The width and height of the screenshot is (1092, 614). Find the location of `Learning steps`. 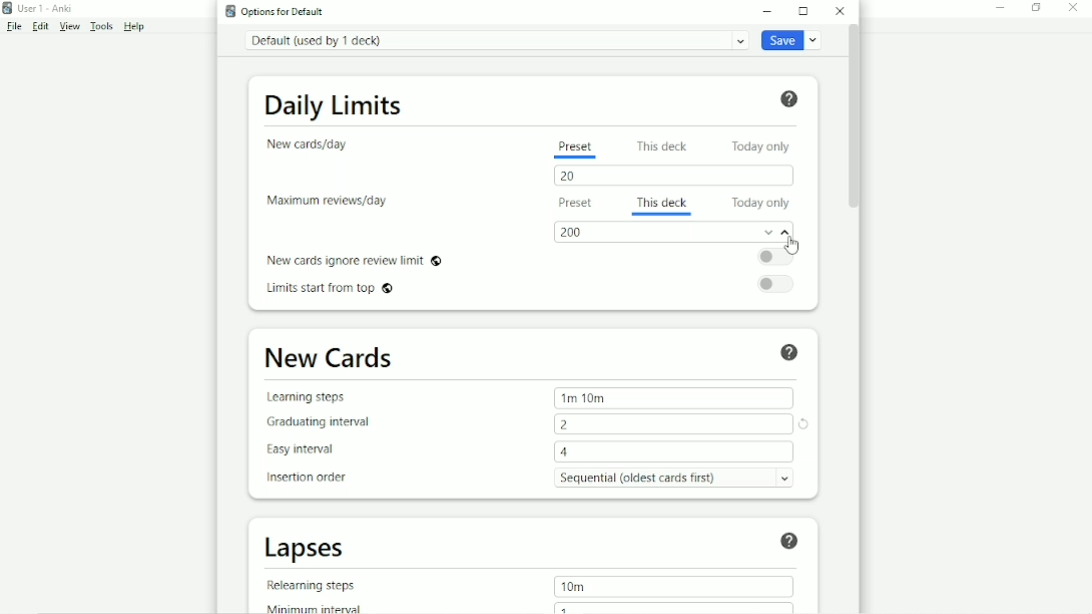

Learning steps is located at coordinates (312, 397).